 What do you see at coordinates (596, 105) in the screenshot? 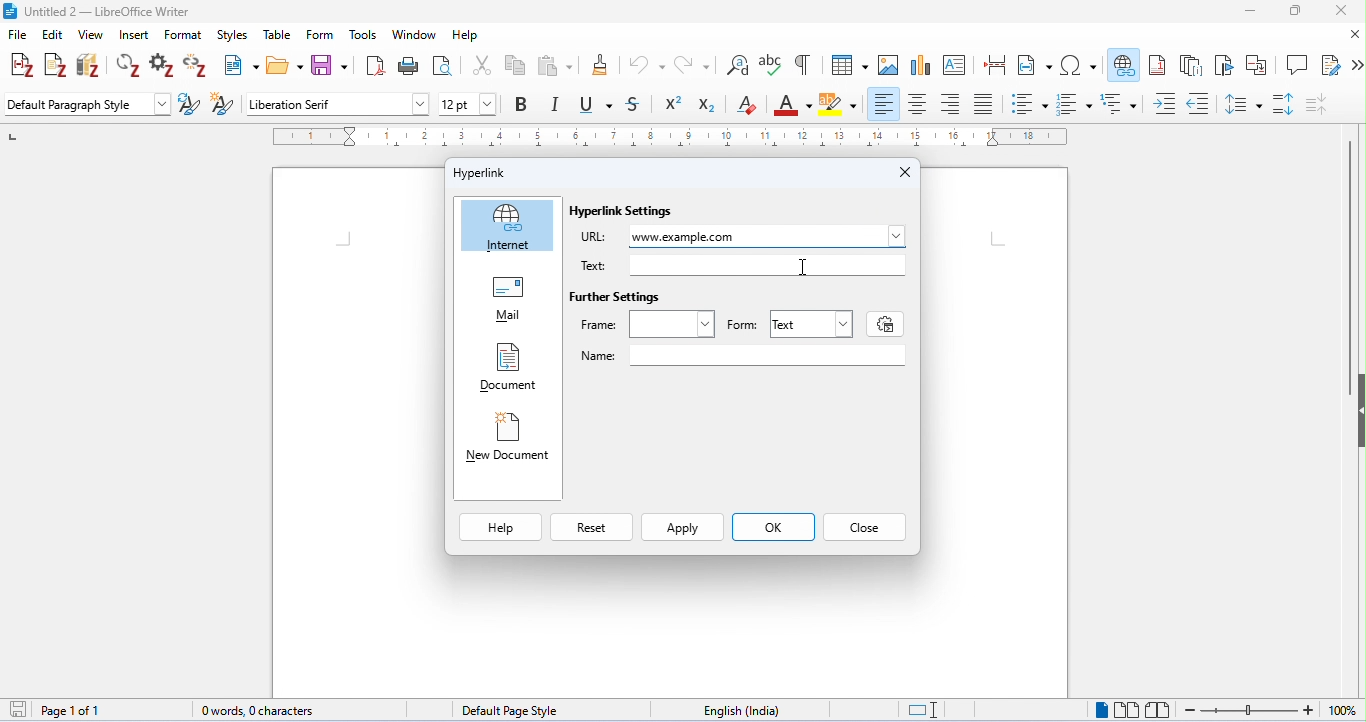
I see `underline` at bounding box center [596, 105].